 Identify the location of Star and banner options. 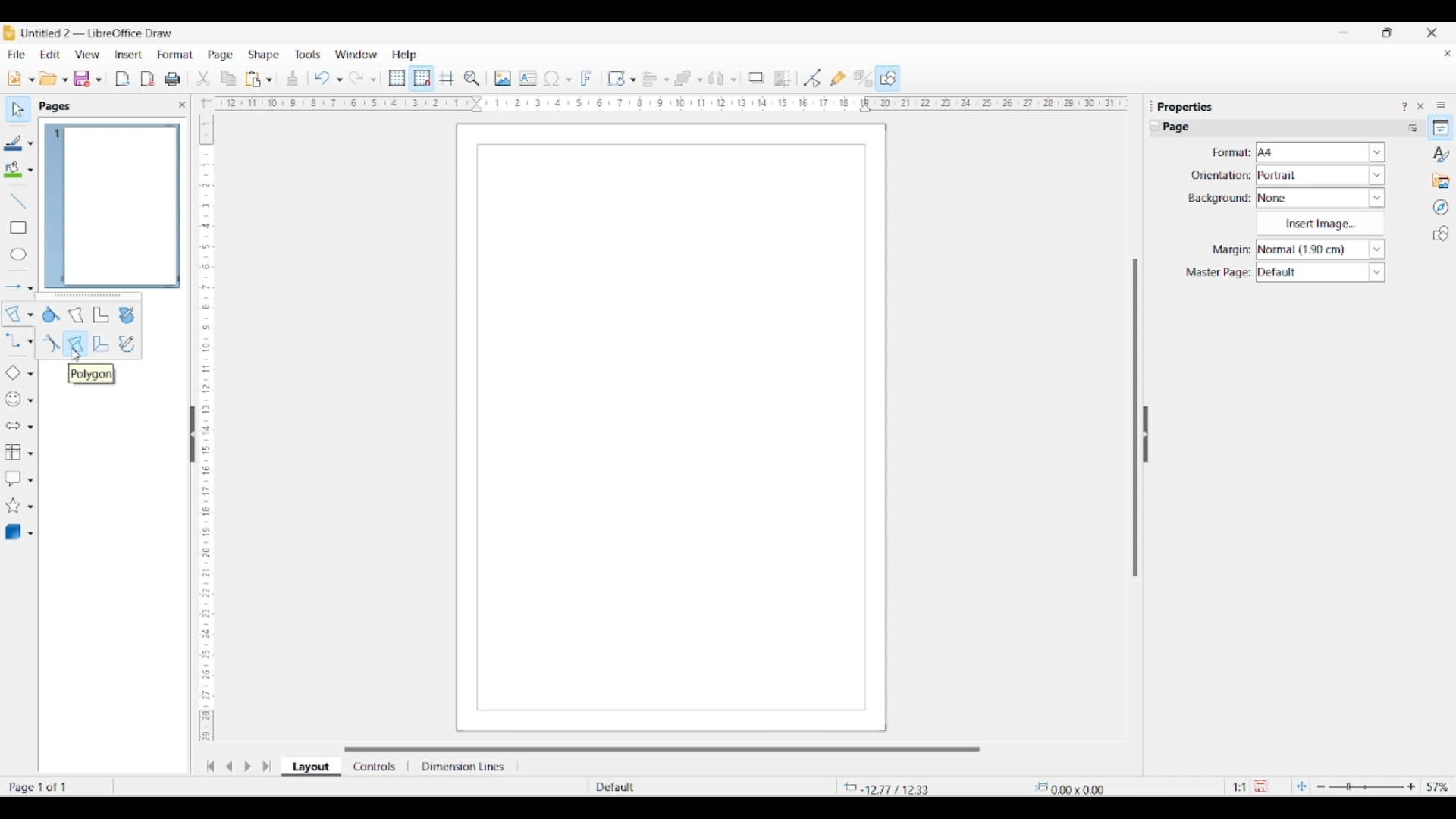
(30, 507).